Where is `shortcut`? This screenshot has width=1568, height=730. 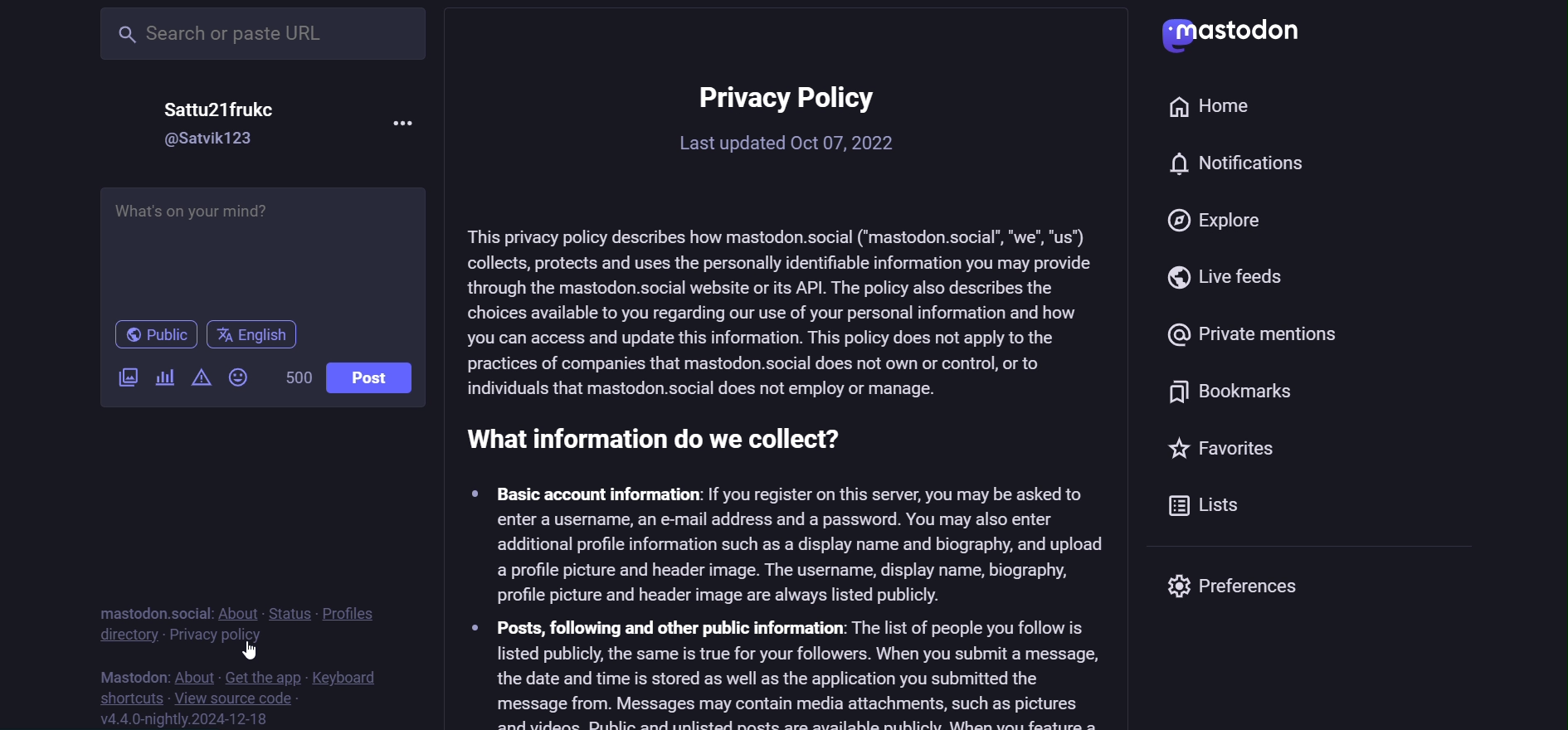
shortcut is located at coordinates (123, 696).